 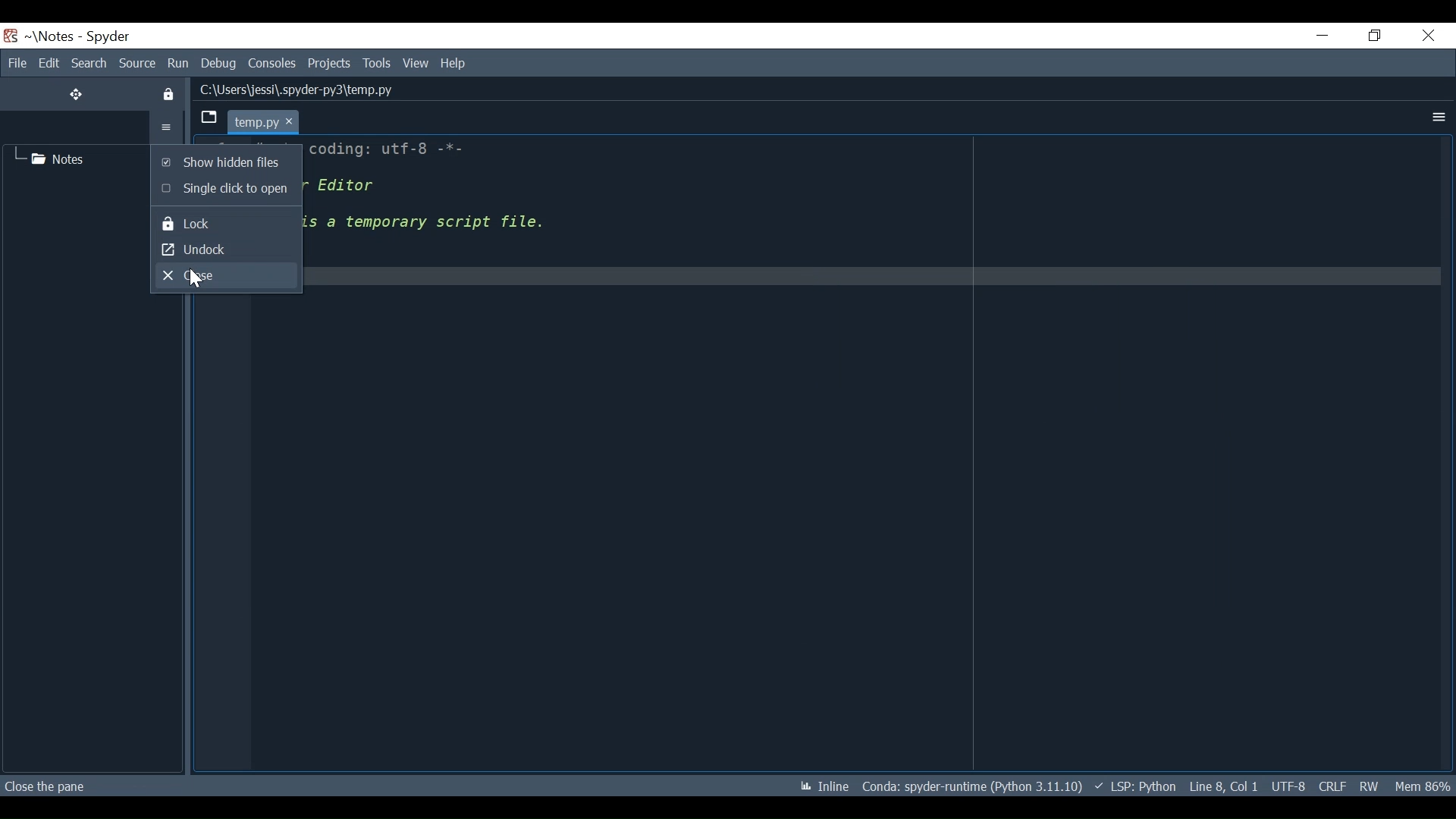 I want to click on File, so click(x=14, y=63).